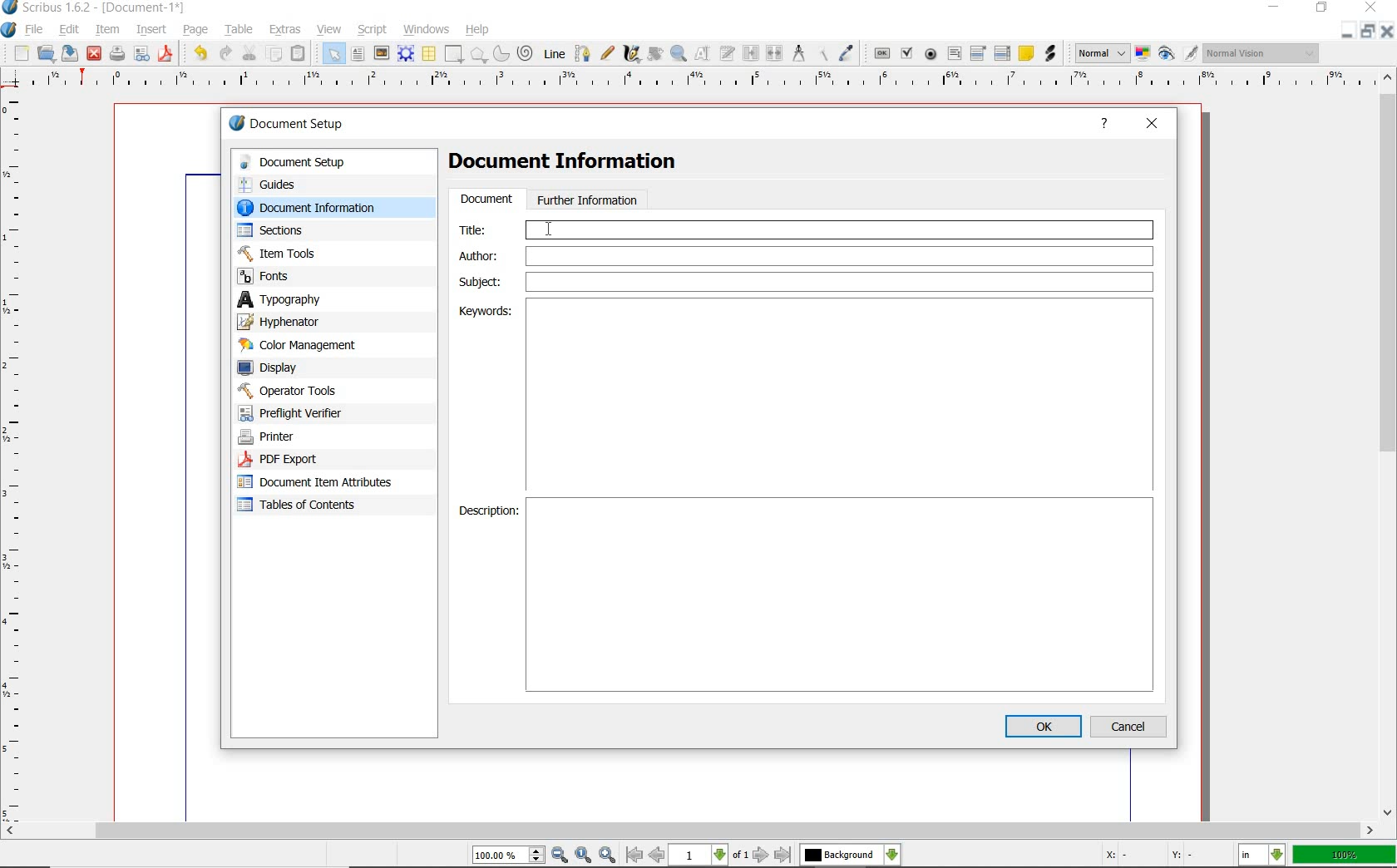 The image size is (1397, 868). I want to click on move to next or previous page, so click(710, 856).